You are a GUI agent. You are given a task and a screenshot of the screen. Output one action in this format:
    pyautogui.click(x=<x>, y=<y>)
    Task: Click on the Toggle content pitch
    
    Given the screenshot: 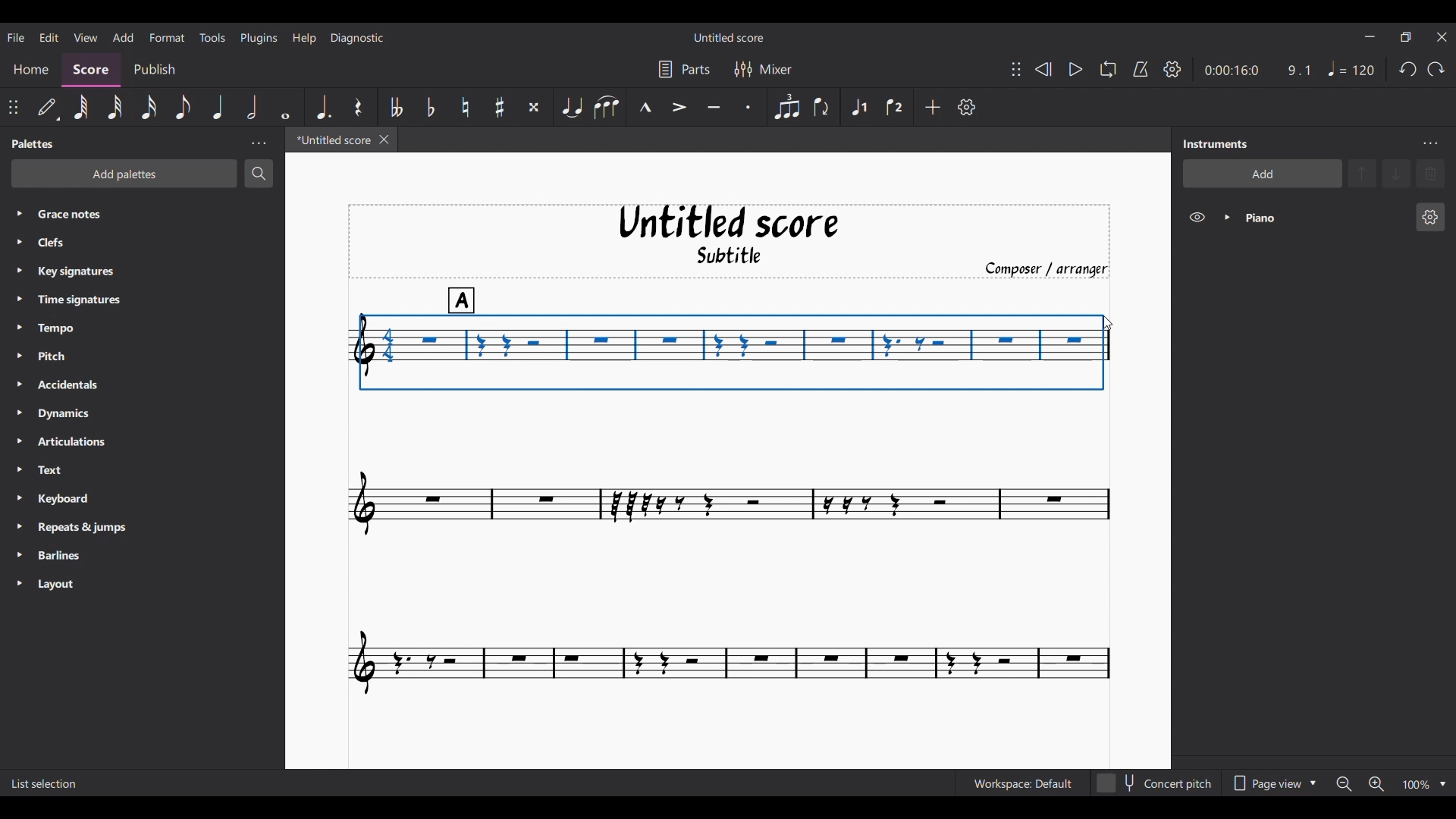 What is the action you would take?
    pyautogui.click(x=1156, y=783)
    